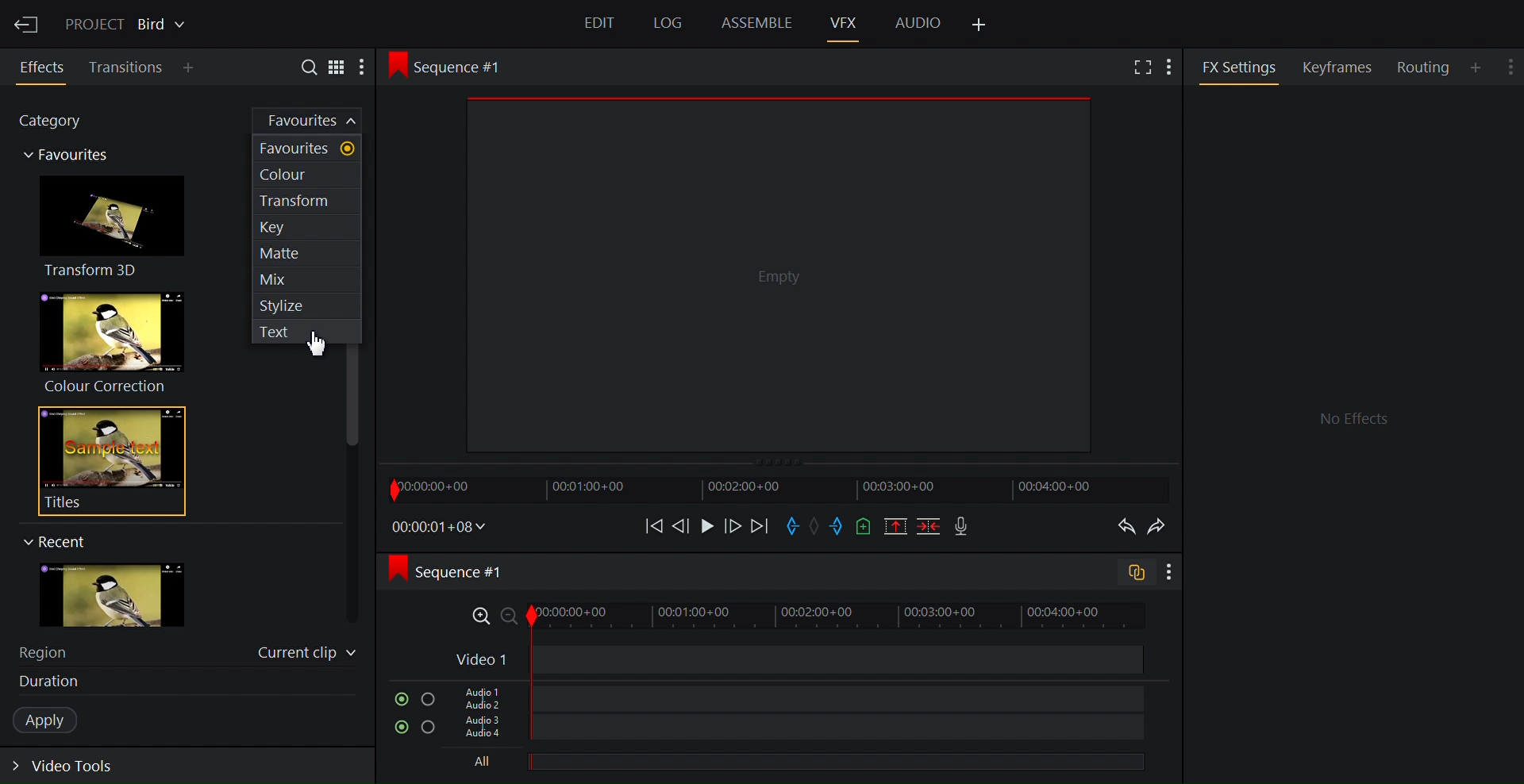 Image resolution: width=1524 pixels, height=784 pixels. Describe the element at coordinates (1141, 68) in the screenshot. I see `Full screen` at that location.